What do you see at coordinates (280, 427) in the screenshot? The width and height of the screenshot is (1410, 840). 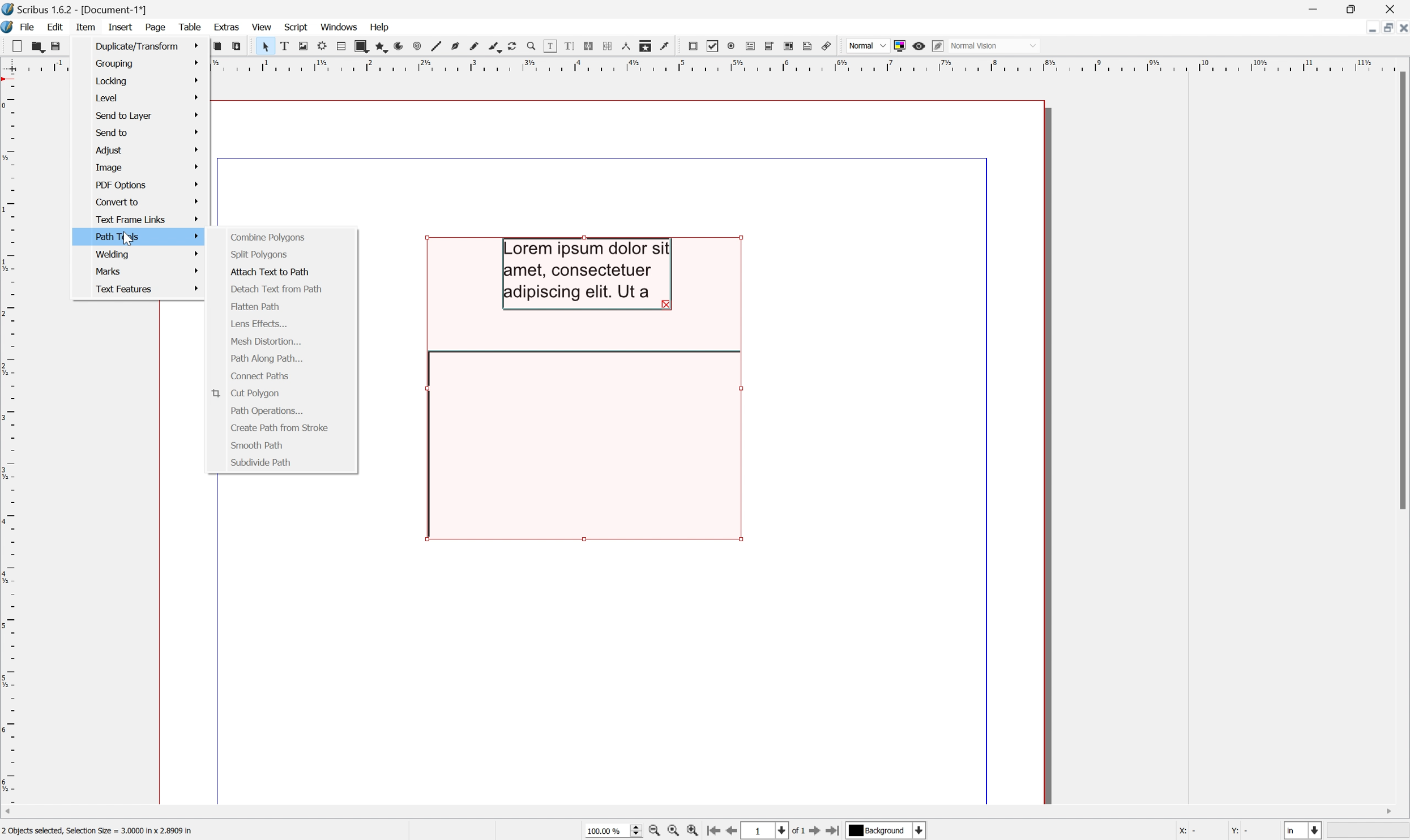 I see `Create path from stroke` at bounding box center [280, 427].